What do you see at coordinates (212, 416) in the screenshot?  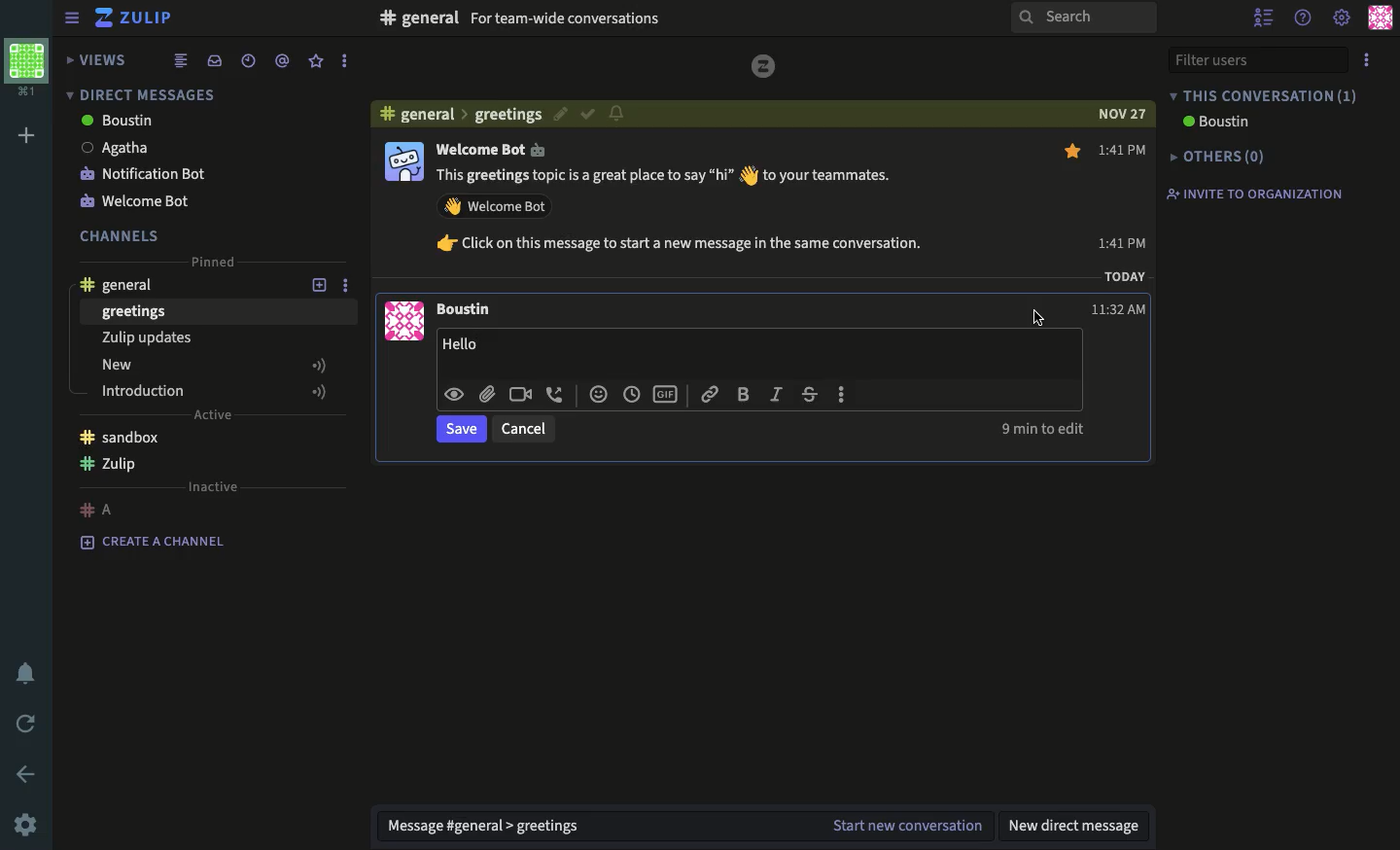 I see `active` at bounding box center [212, 416].